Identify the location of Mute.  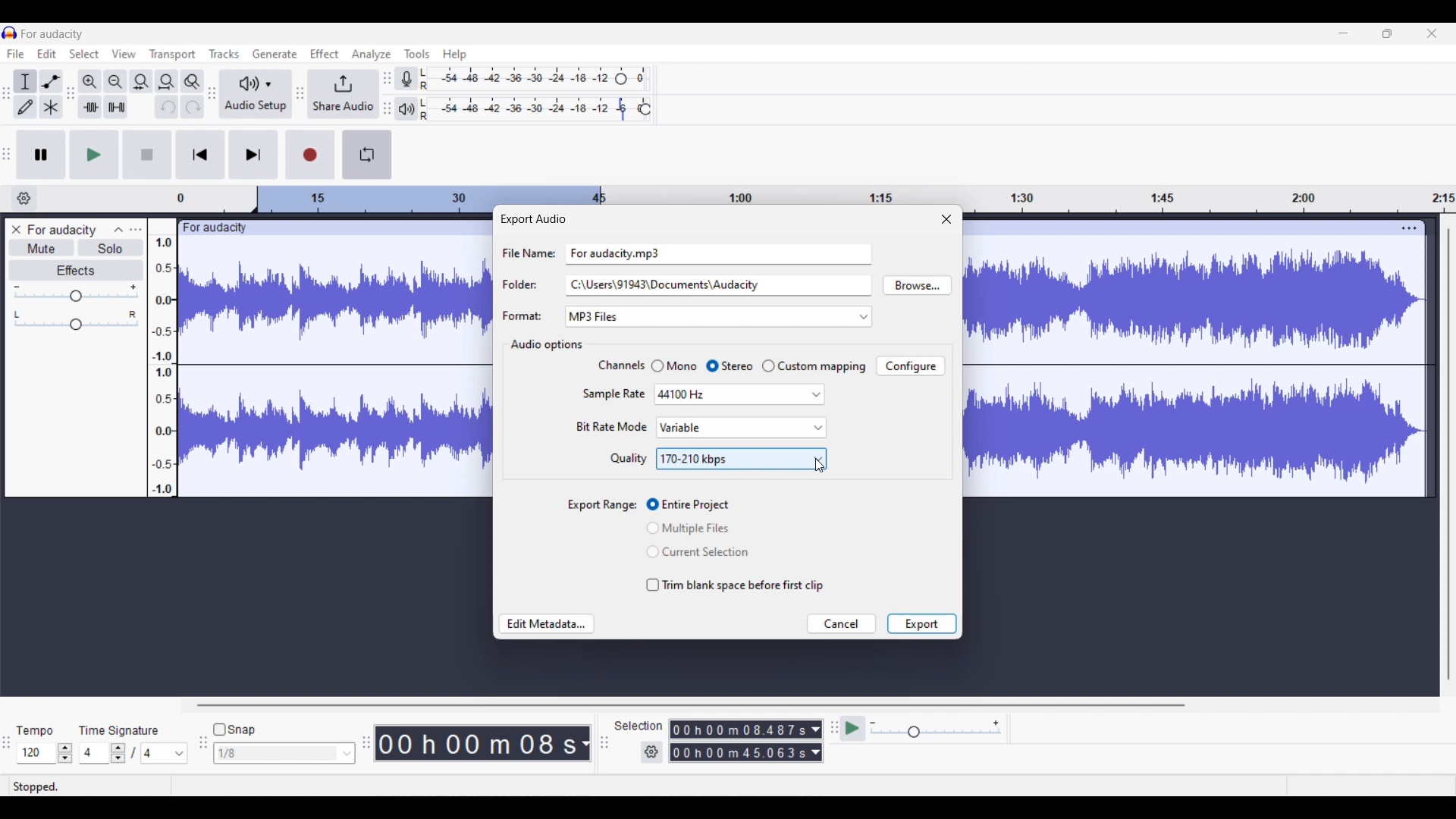
(42, 247).